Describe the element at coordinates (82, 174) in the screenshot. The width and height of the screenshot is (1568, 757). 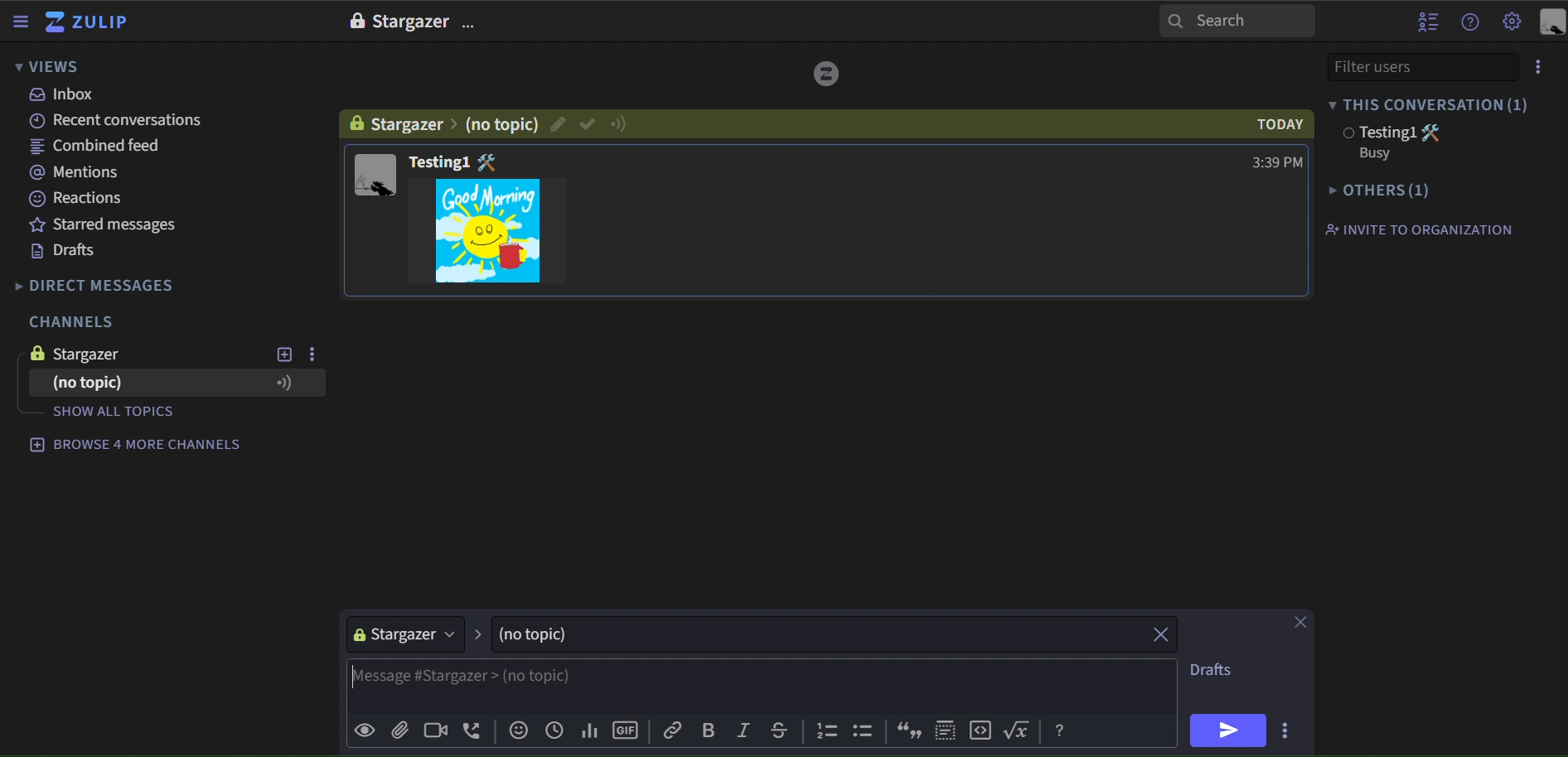
I see `mentions` at that location.